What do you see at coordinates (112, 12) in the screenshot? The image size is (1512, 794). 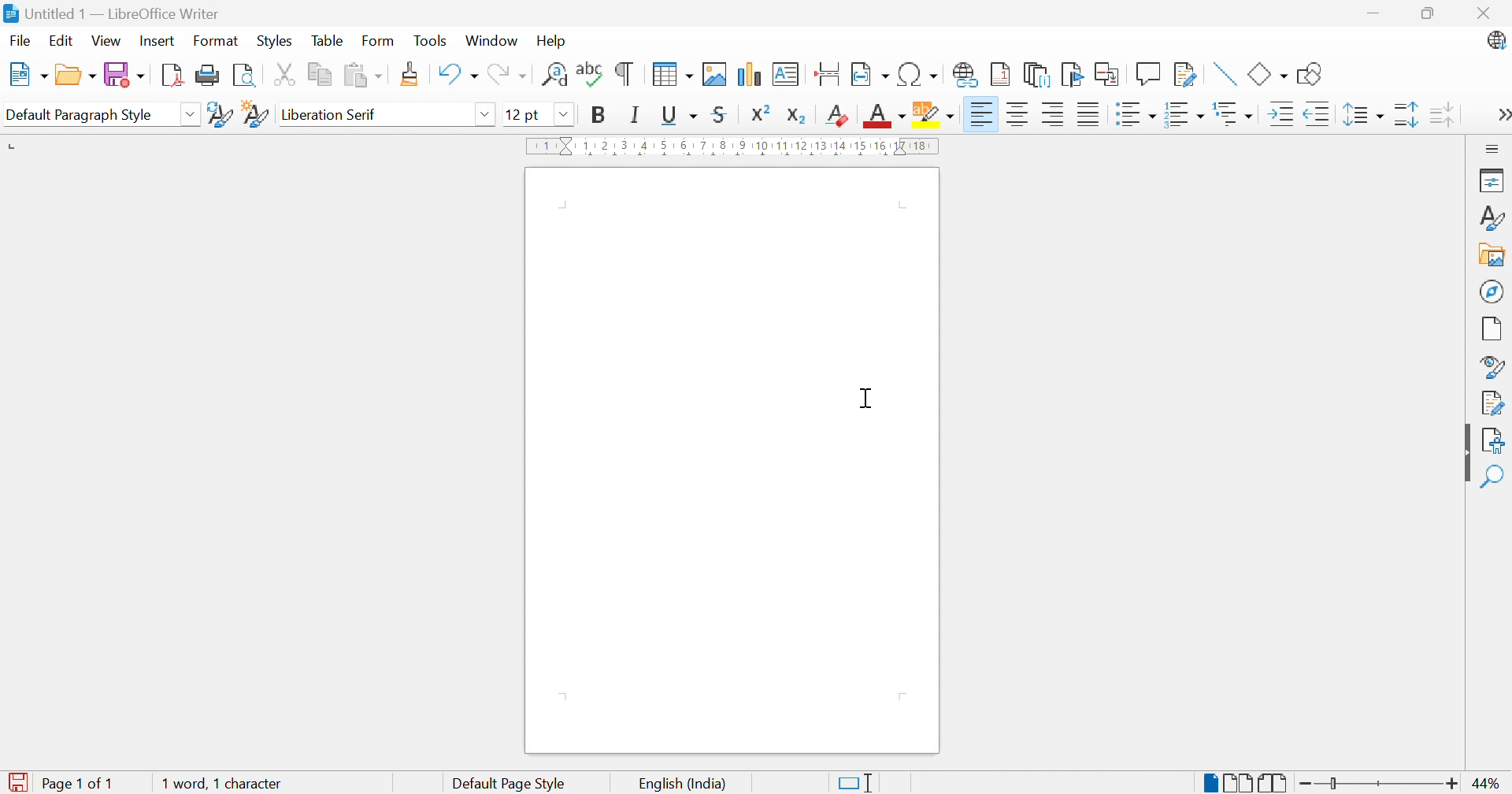 I see `Untitled 1 - LibreOffice Writer` at bounding box center [112, 12].